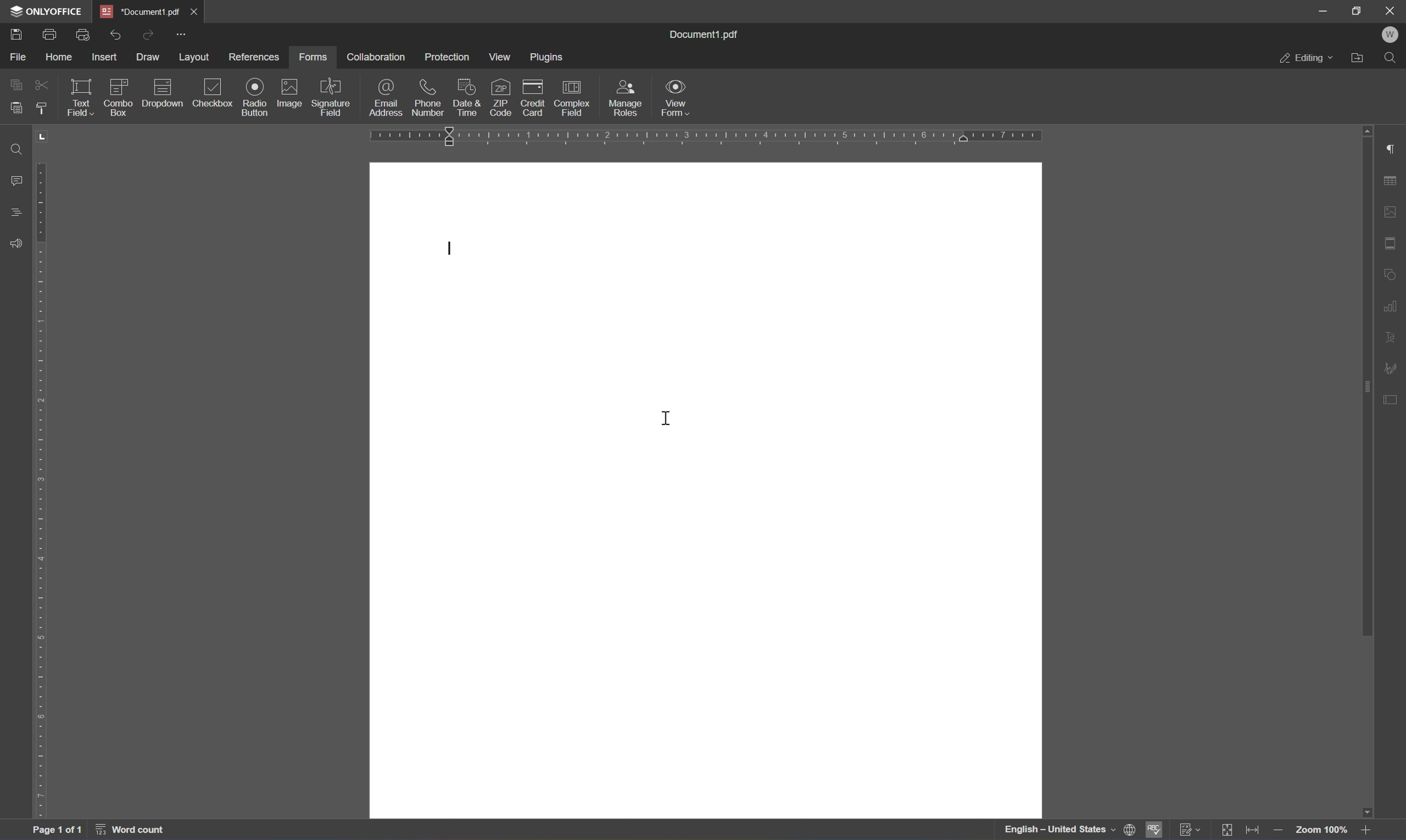 The image size is (1406, 840). What do you see at coordinates (18, 149) in the screenshot?
I see `find` at bounding box center [18, 149].